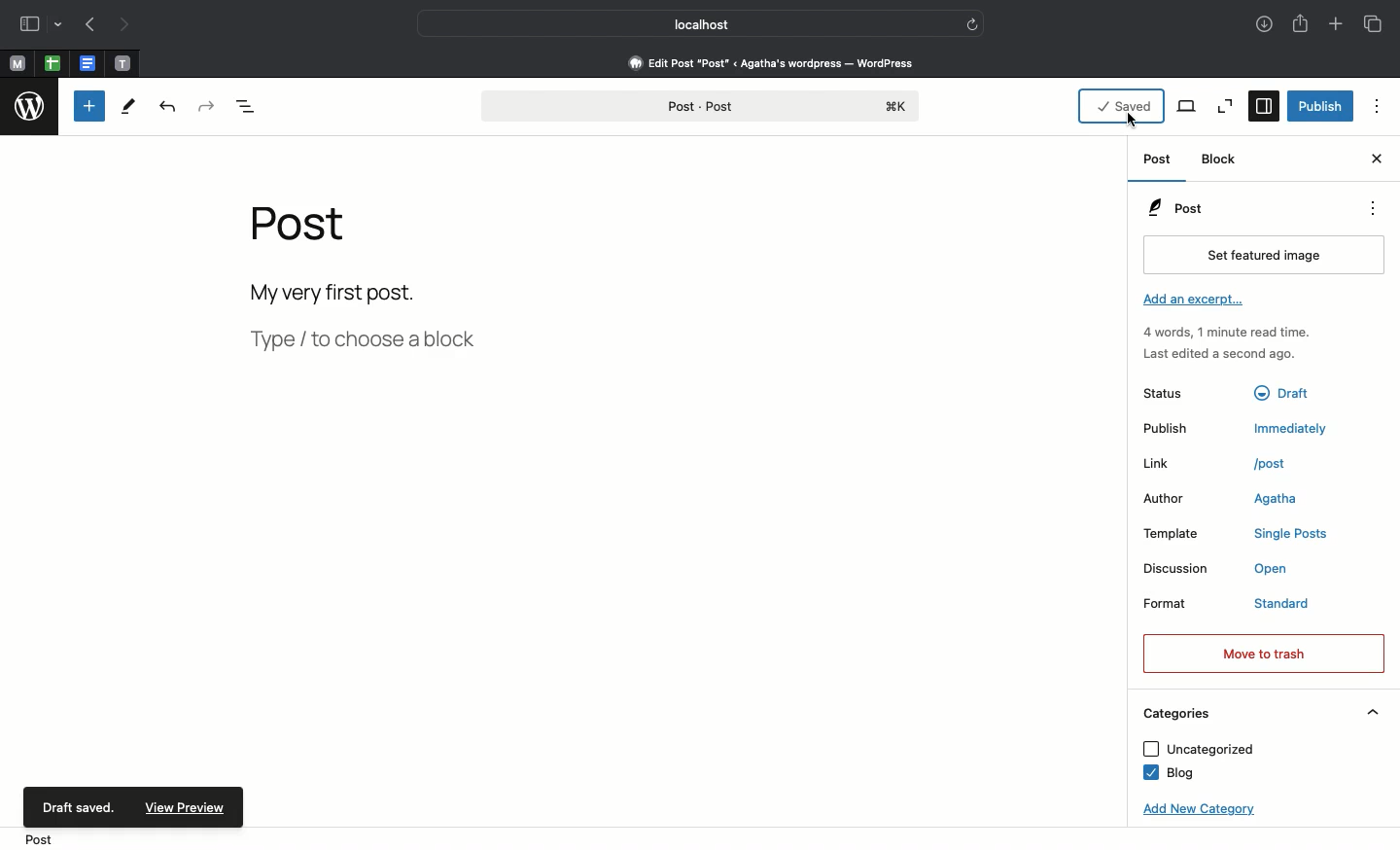 This screenshot has height=850, width=1400. What do you see at coordinates (1174, 714) in the screenshot?
I see `Categories` at bounding box center [1174, 714].